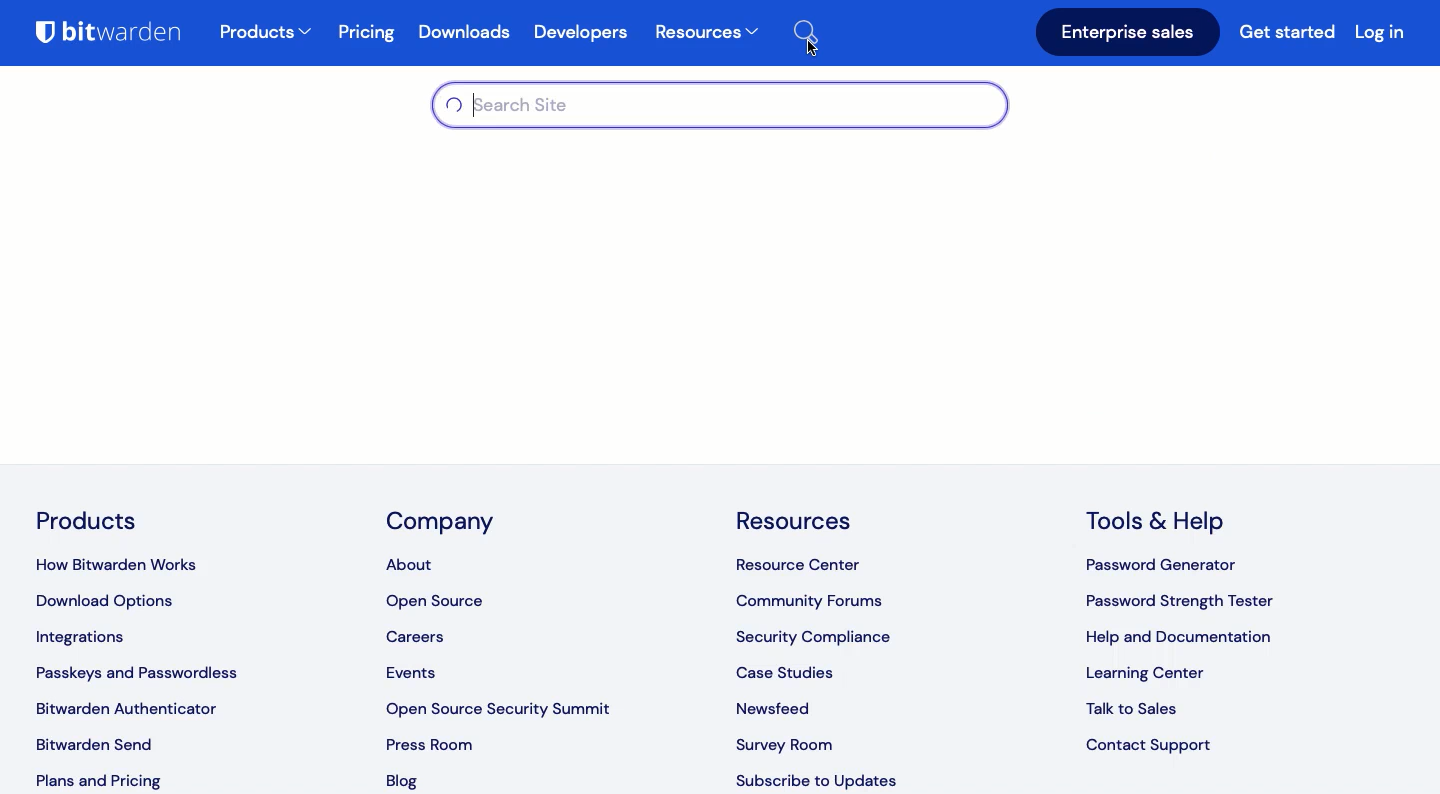  What do you see at coordinates (817, 29) in the screenshot?
I see `Search` at bounding box center [817, 29].